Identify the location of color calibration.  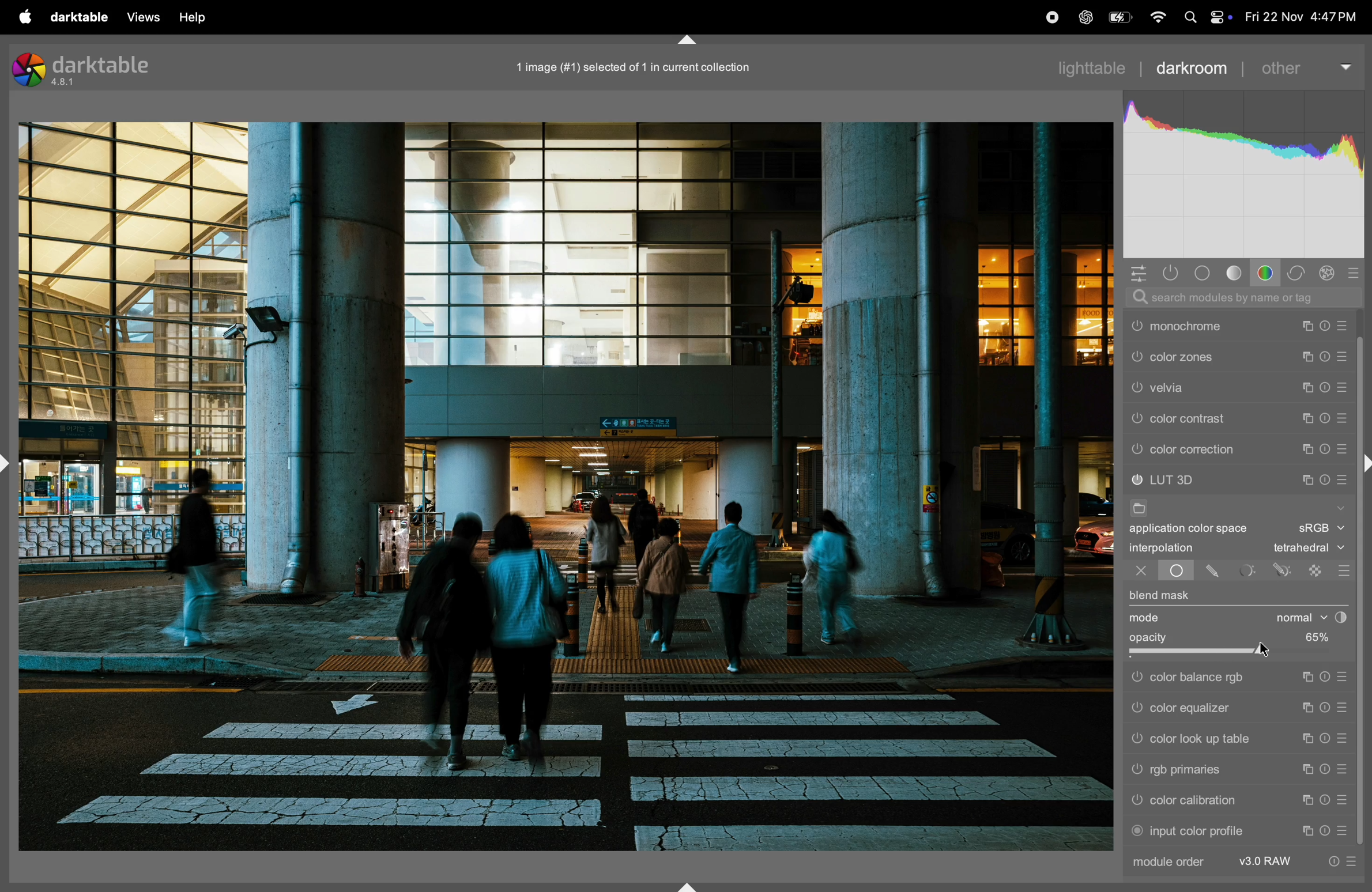
(1205, 800).